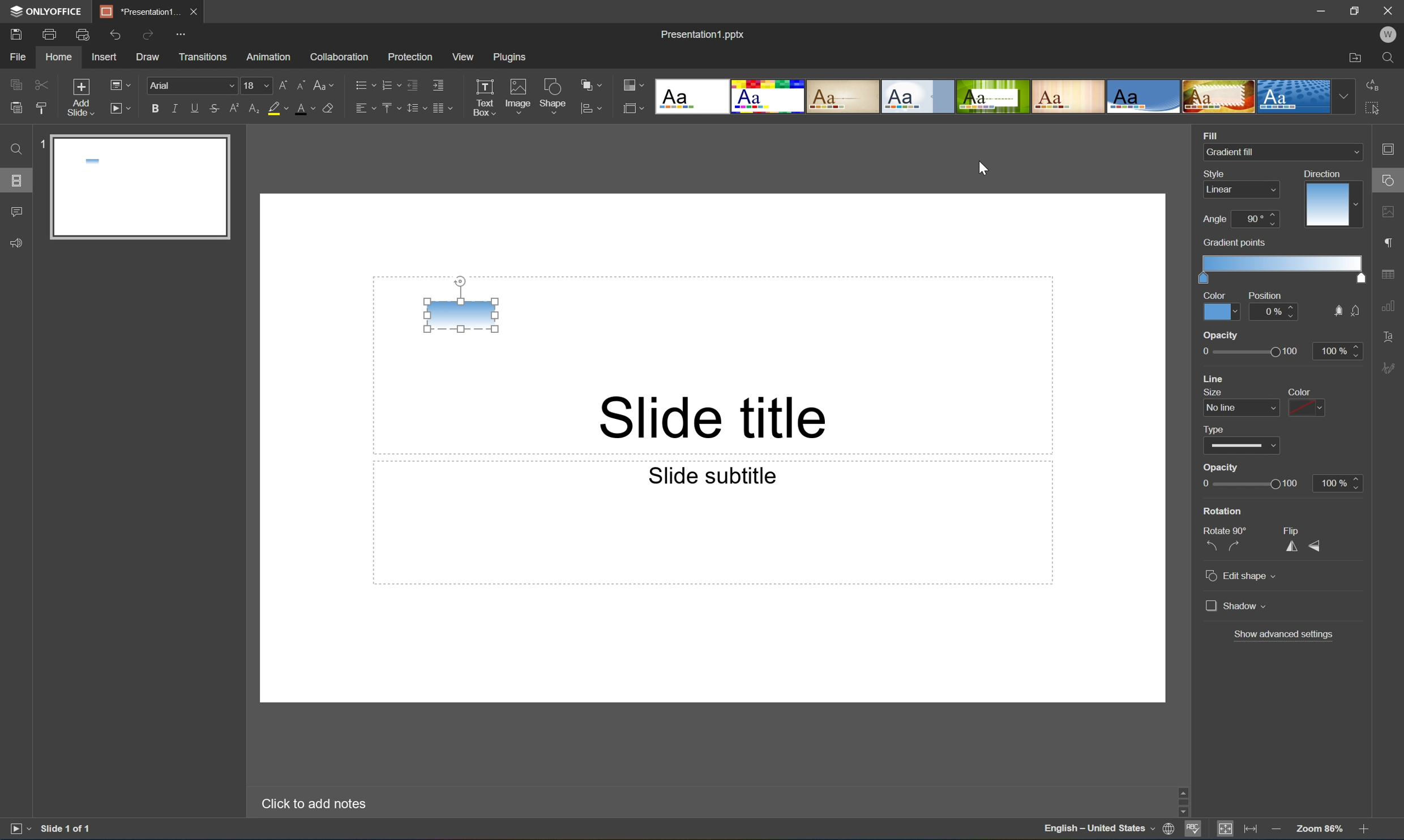 The image size is (1404, 840). What do you see at coordinates (437, 84) in the screenshot?
I see `Increase indent` at bounding box center [437, 84].